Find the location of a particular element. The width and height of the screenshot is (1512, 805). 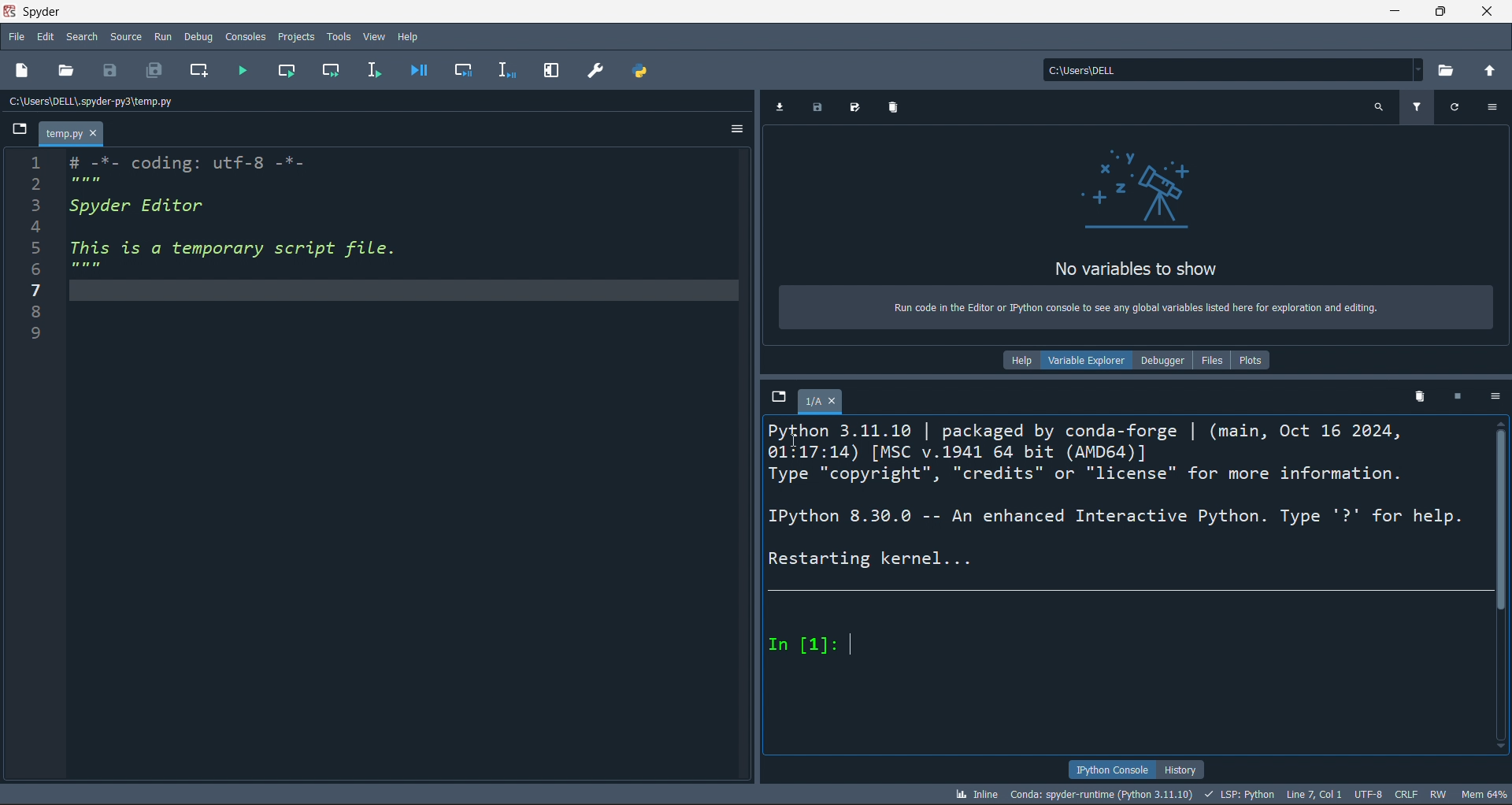

run file is located at coordinates (238, 69).